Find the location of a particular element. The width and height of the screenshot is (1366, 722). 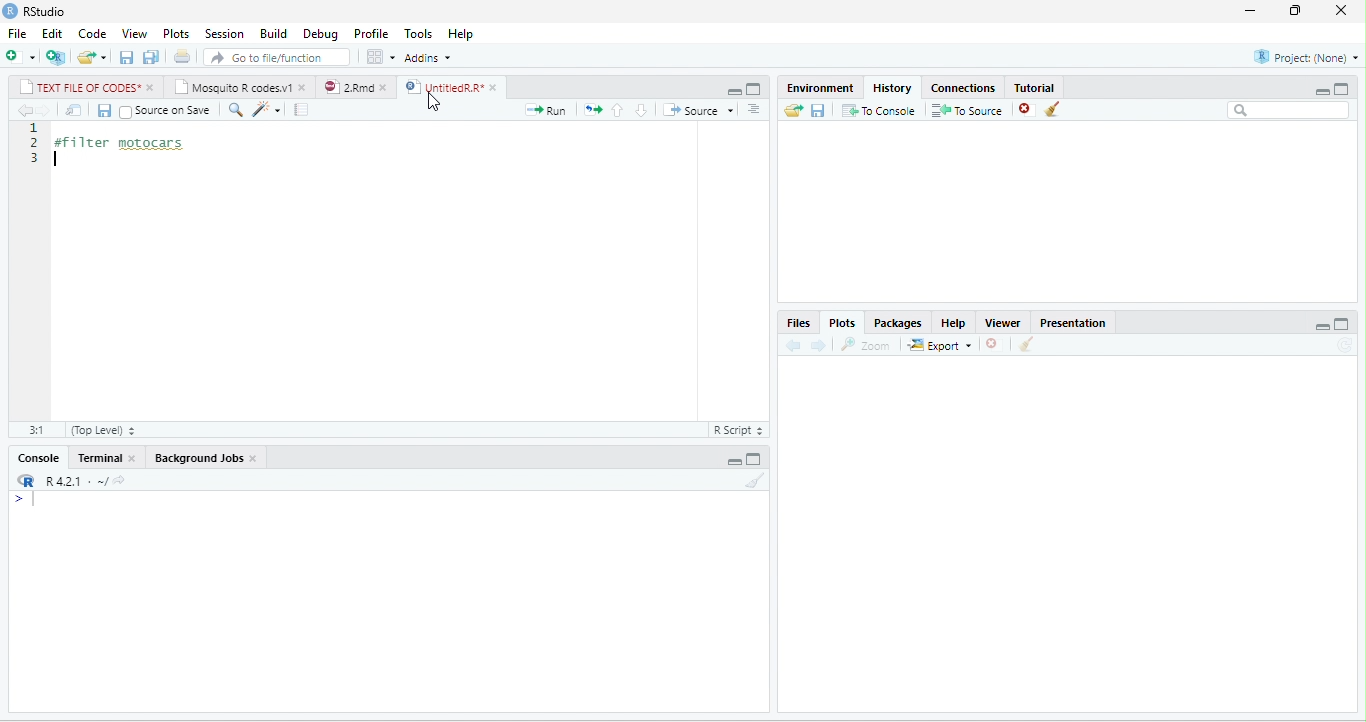

save is located at coordinates (126, 58).